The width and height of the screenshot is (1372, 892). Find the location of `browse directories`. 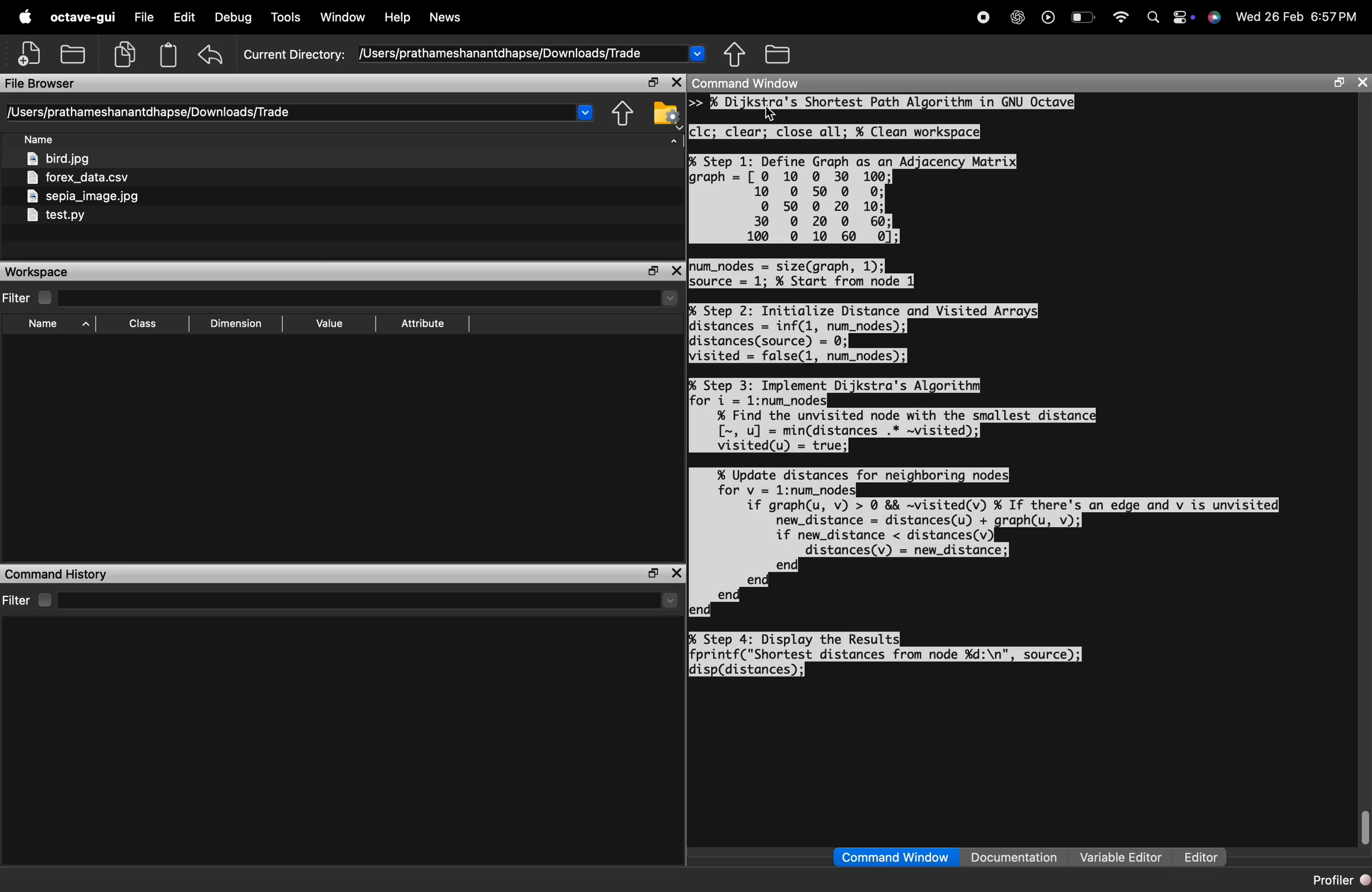

browse directories is located at coordinates (778, 54).